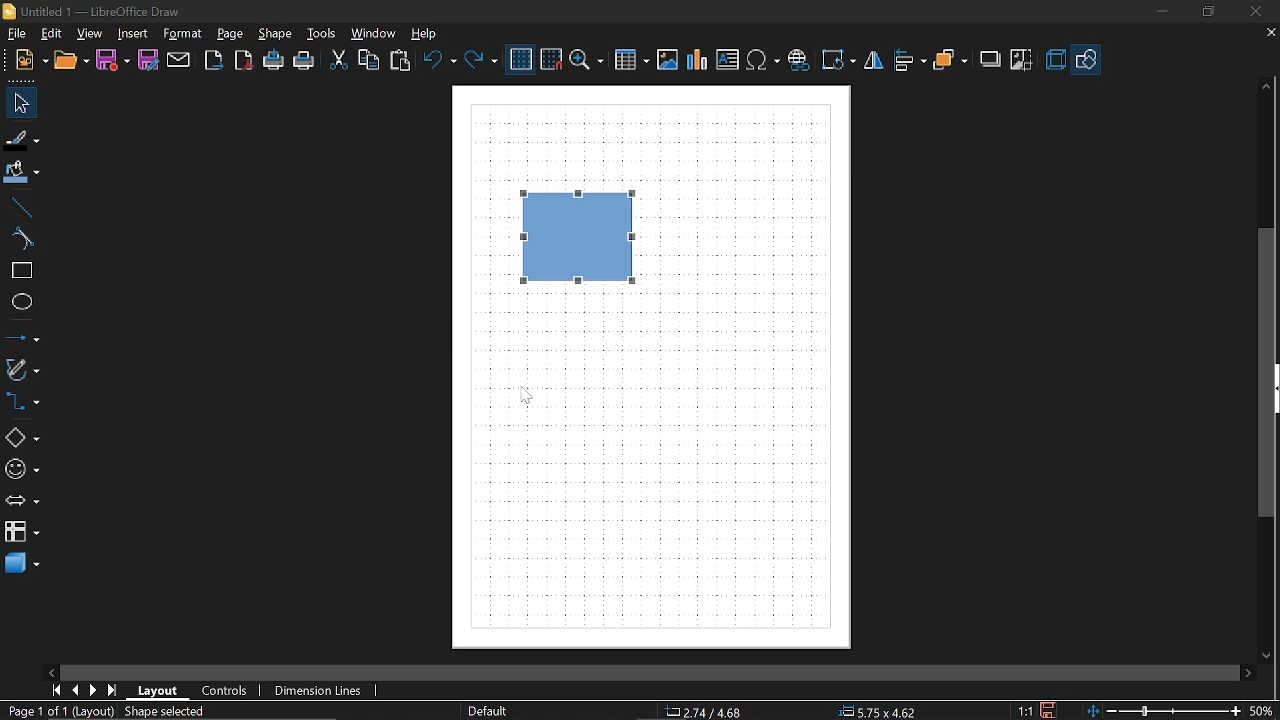 This screenshot has height=720, width=1280. Describe the element at coordinates (244, 62) in the screenshot. I see `Export as pdf` at that location.